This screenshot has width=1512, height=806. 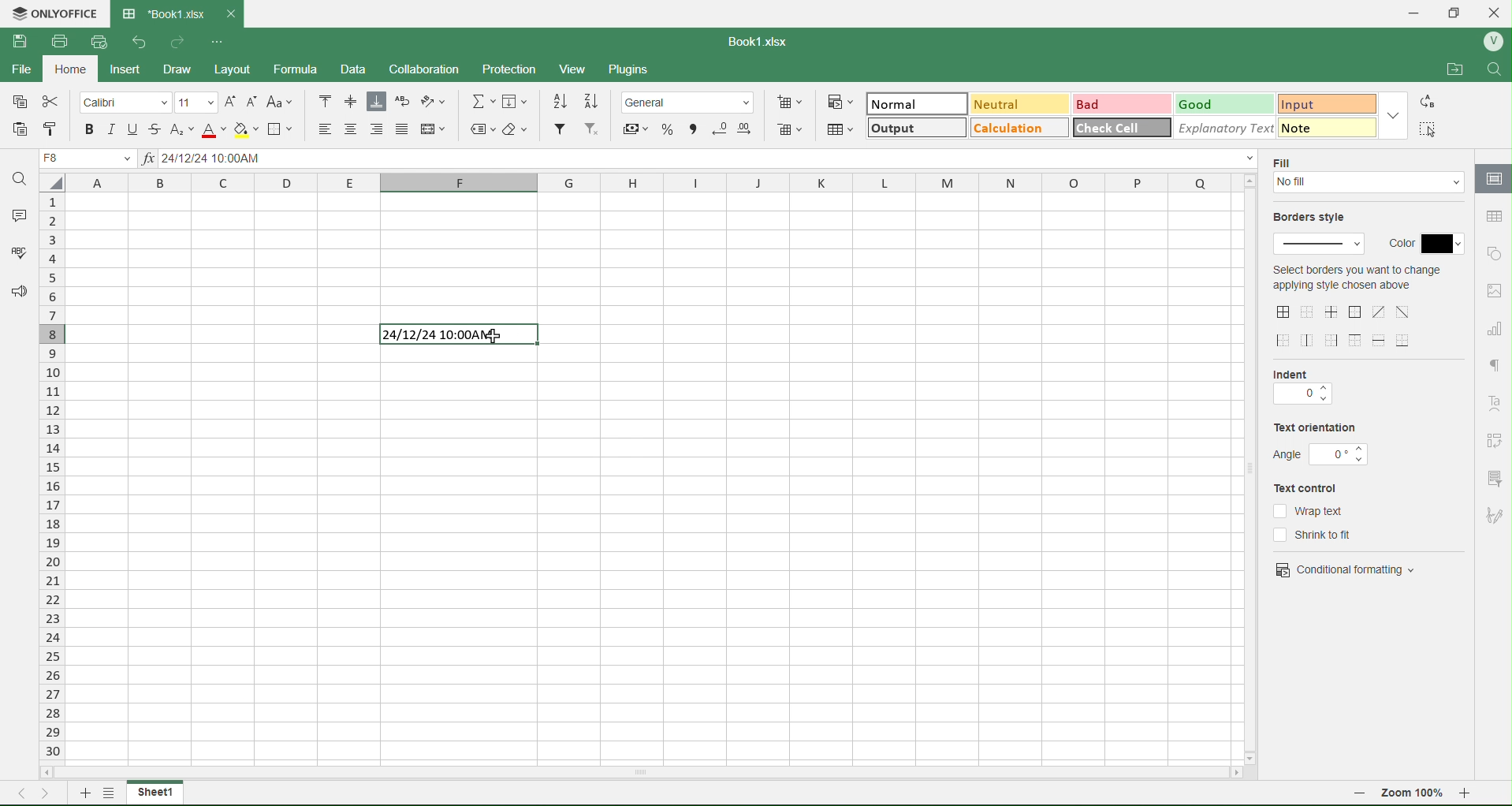 I want to click on Layout, so click(x=244, y=69).